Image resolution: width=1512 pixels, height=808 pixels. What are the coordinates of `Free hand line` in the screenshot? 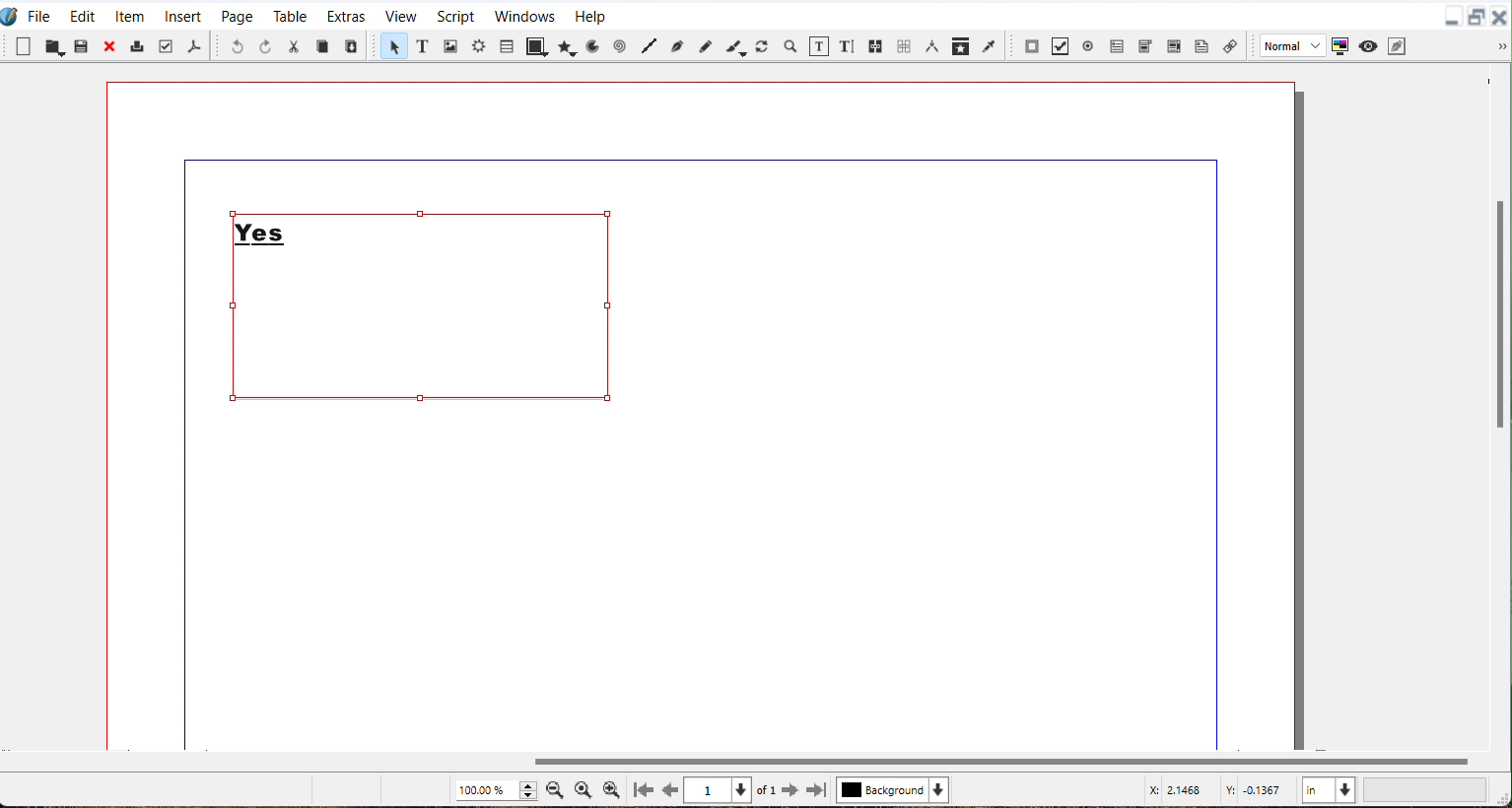 It's located at (705, 46).